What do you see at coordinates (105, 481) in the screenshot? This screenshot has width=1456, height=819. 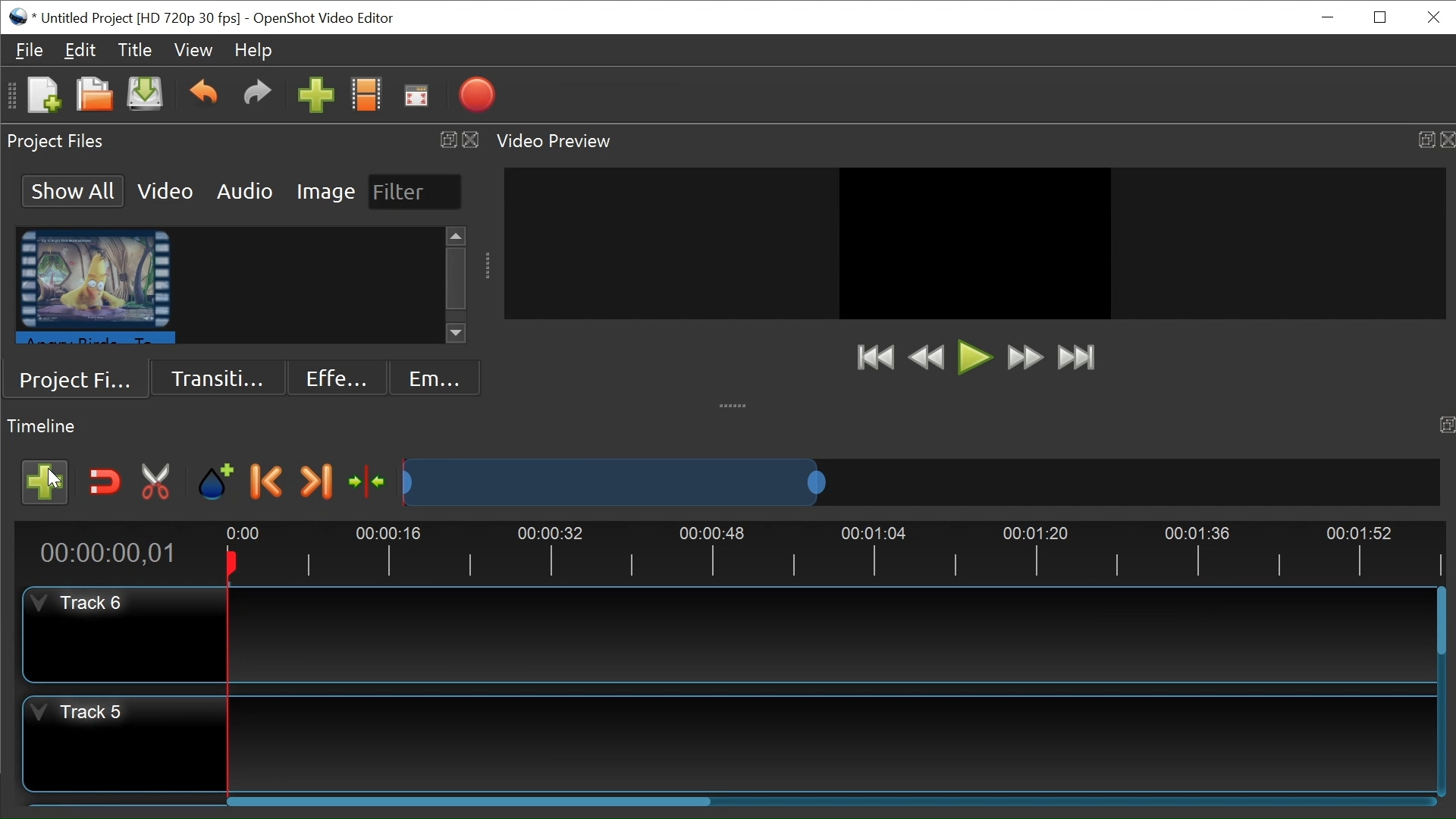 I see `Snap` at bounding box center [105, 481].